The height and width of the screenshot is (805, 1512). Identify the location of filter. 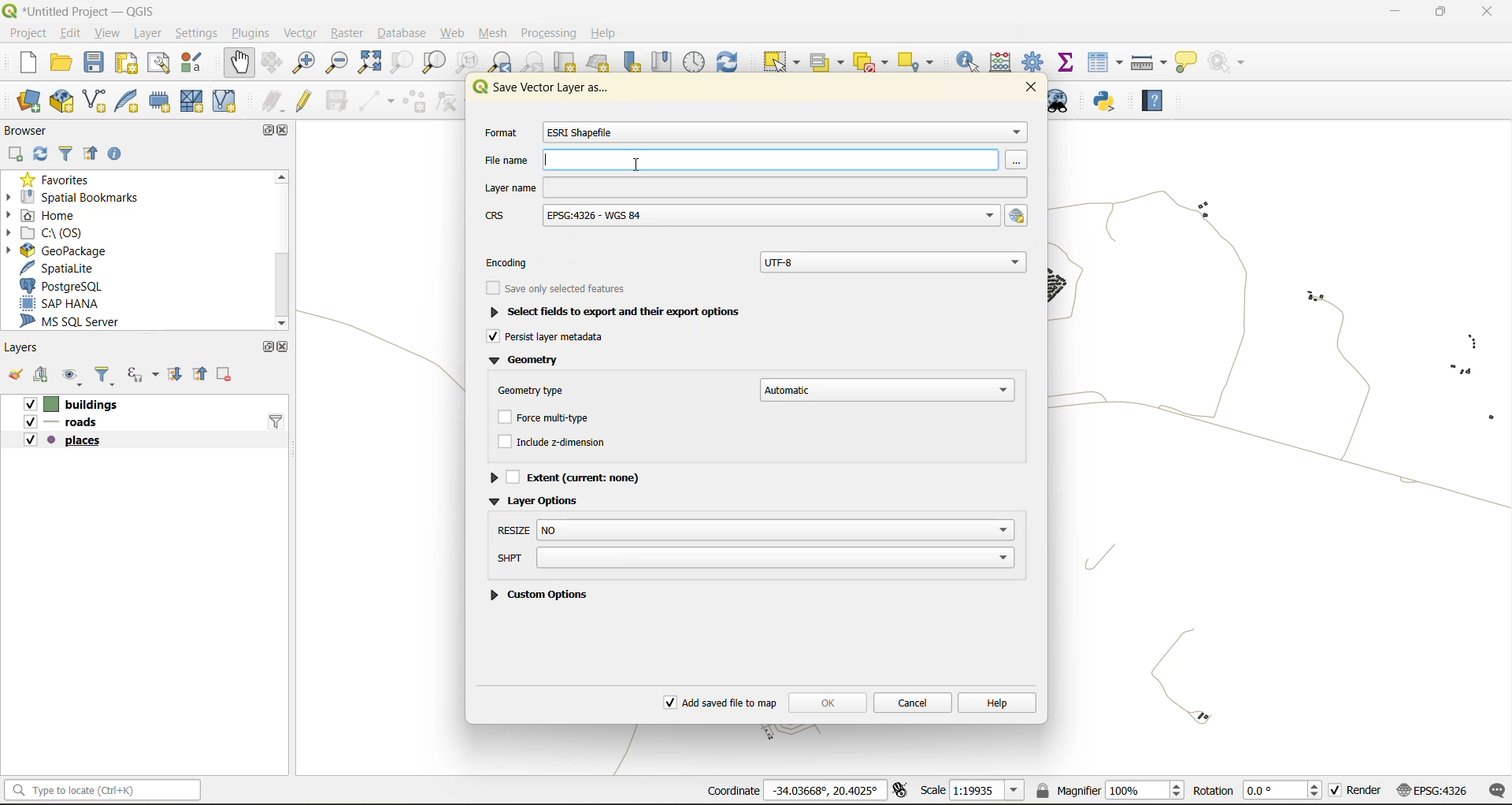
(278, 421).